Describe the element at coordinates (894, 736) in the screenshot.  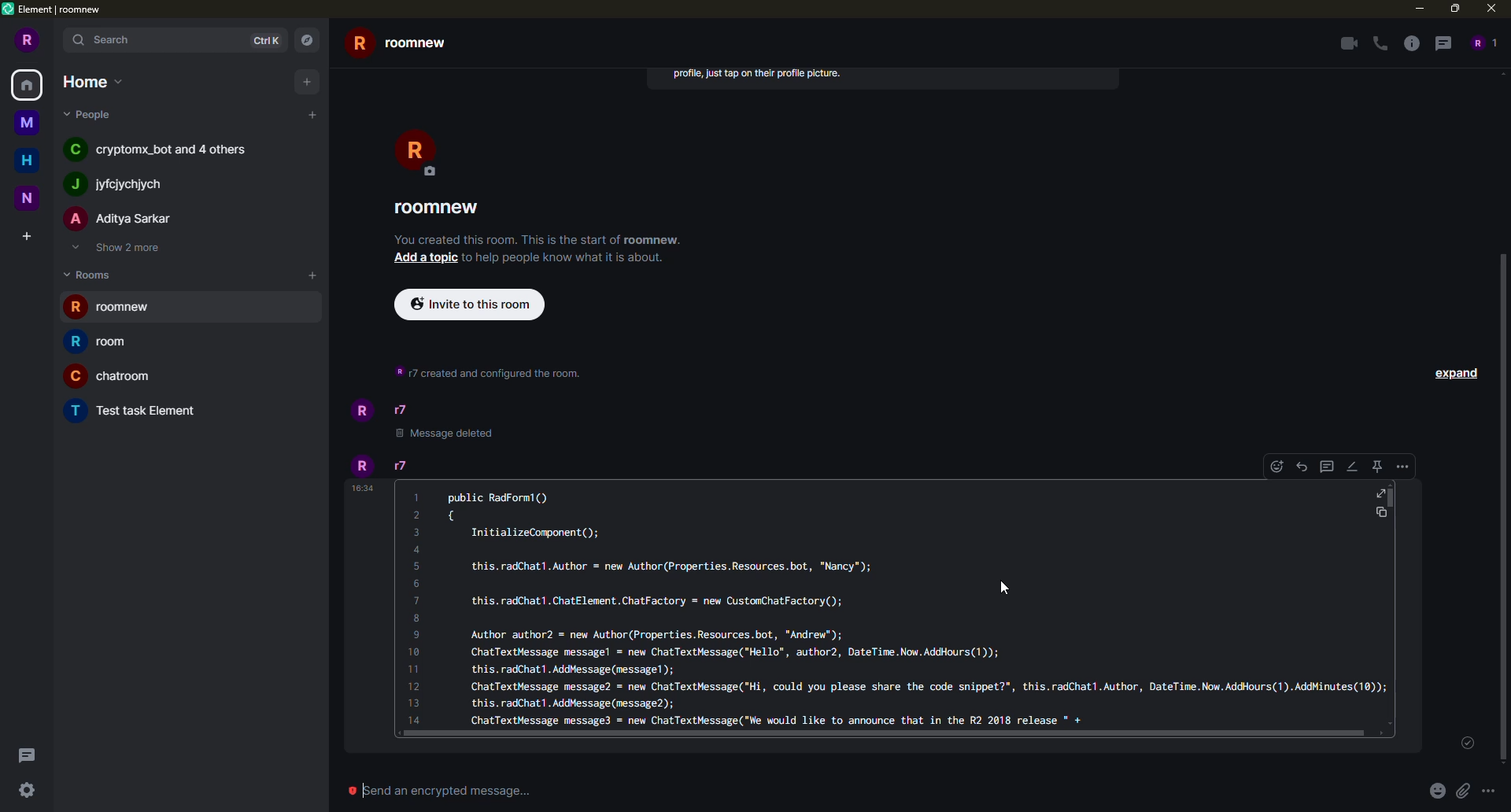
I see `scroll` at that location.